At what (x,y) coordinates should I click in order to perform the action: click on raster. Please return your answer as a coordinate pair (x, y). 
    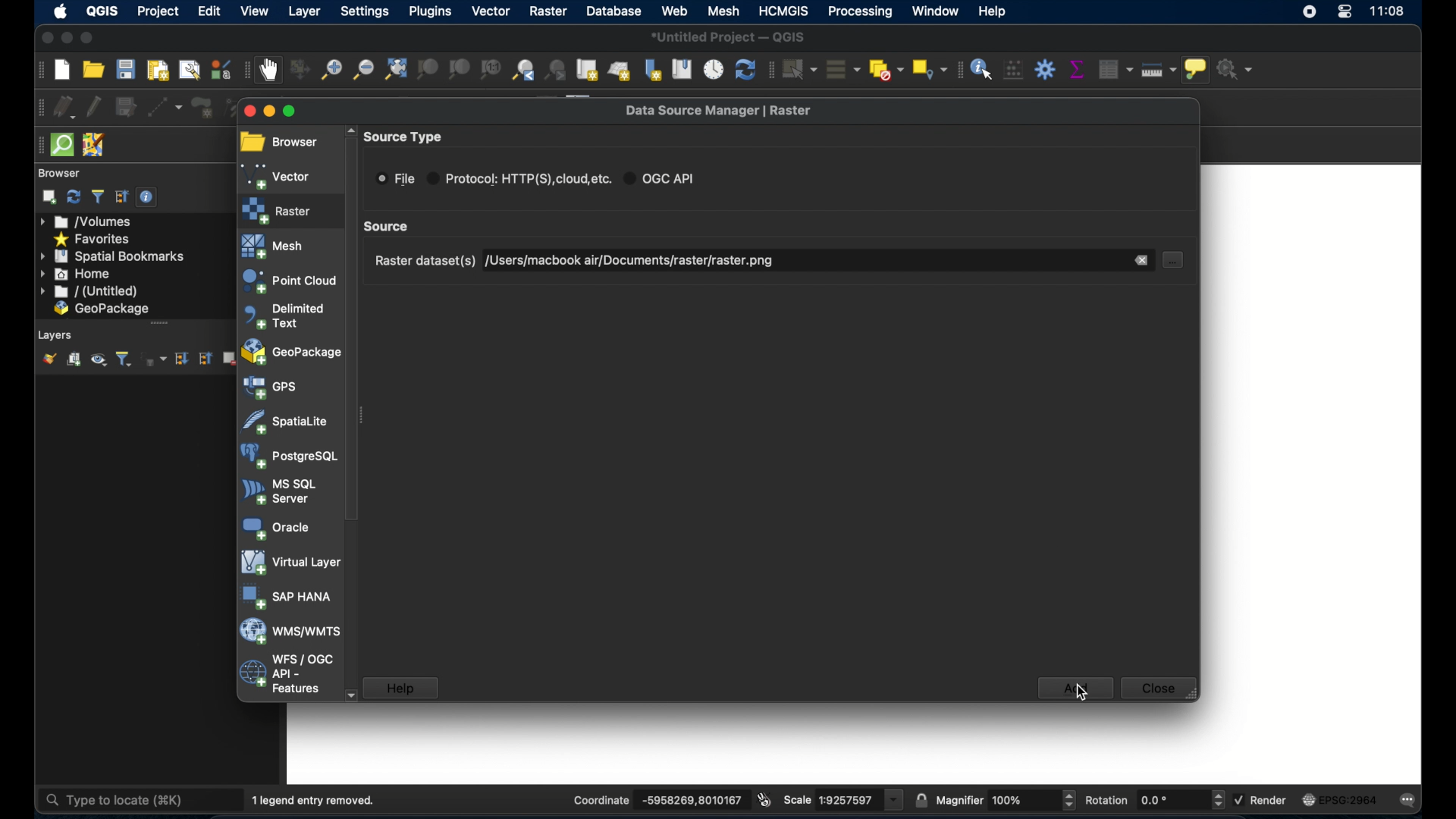
    Looking at the image, I should click on (548, 12).